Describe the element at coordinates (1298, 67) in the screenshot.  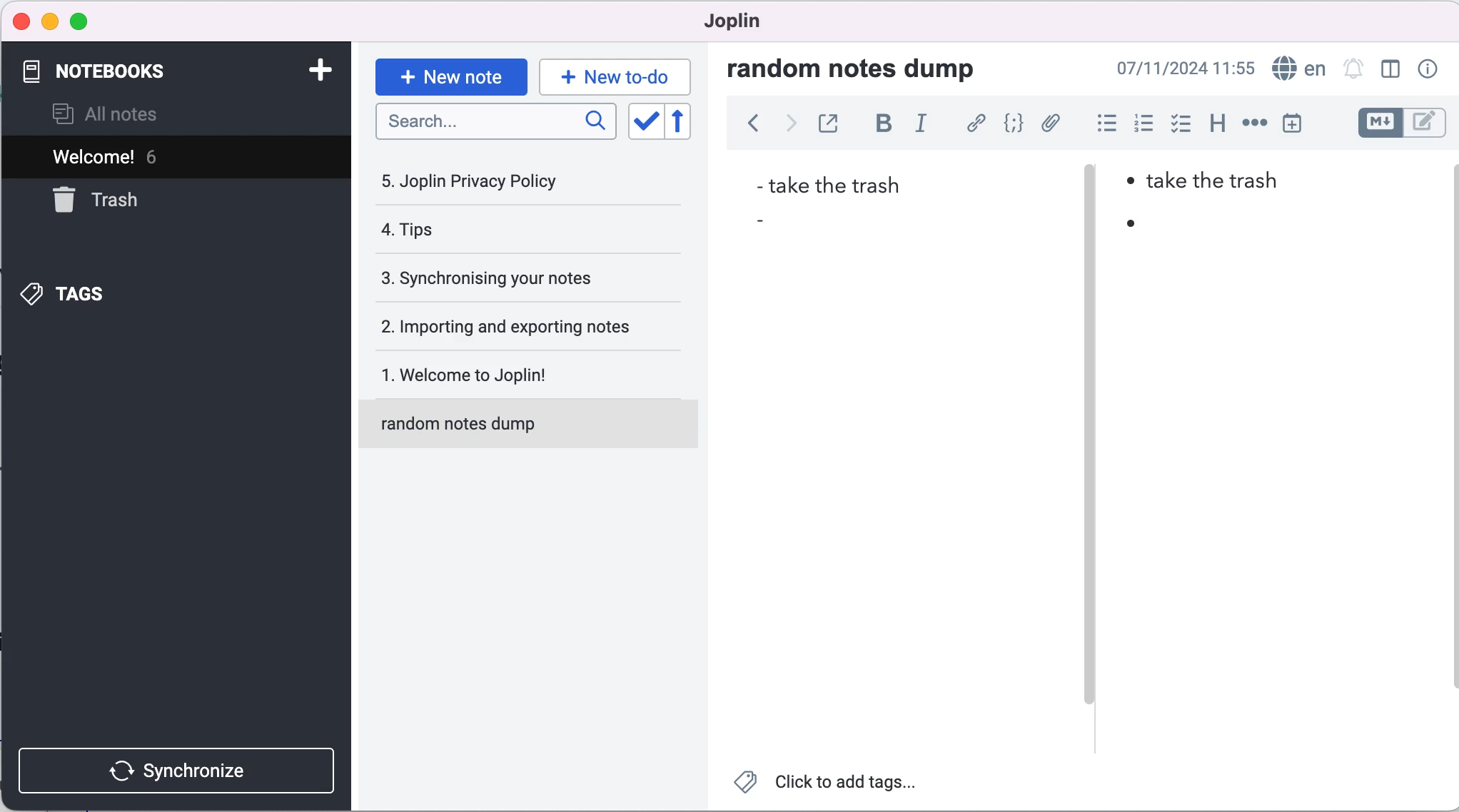
I see `language` at that location.